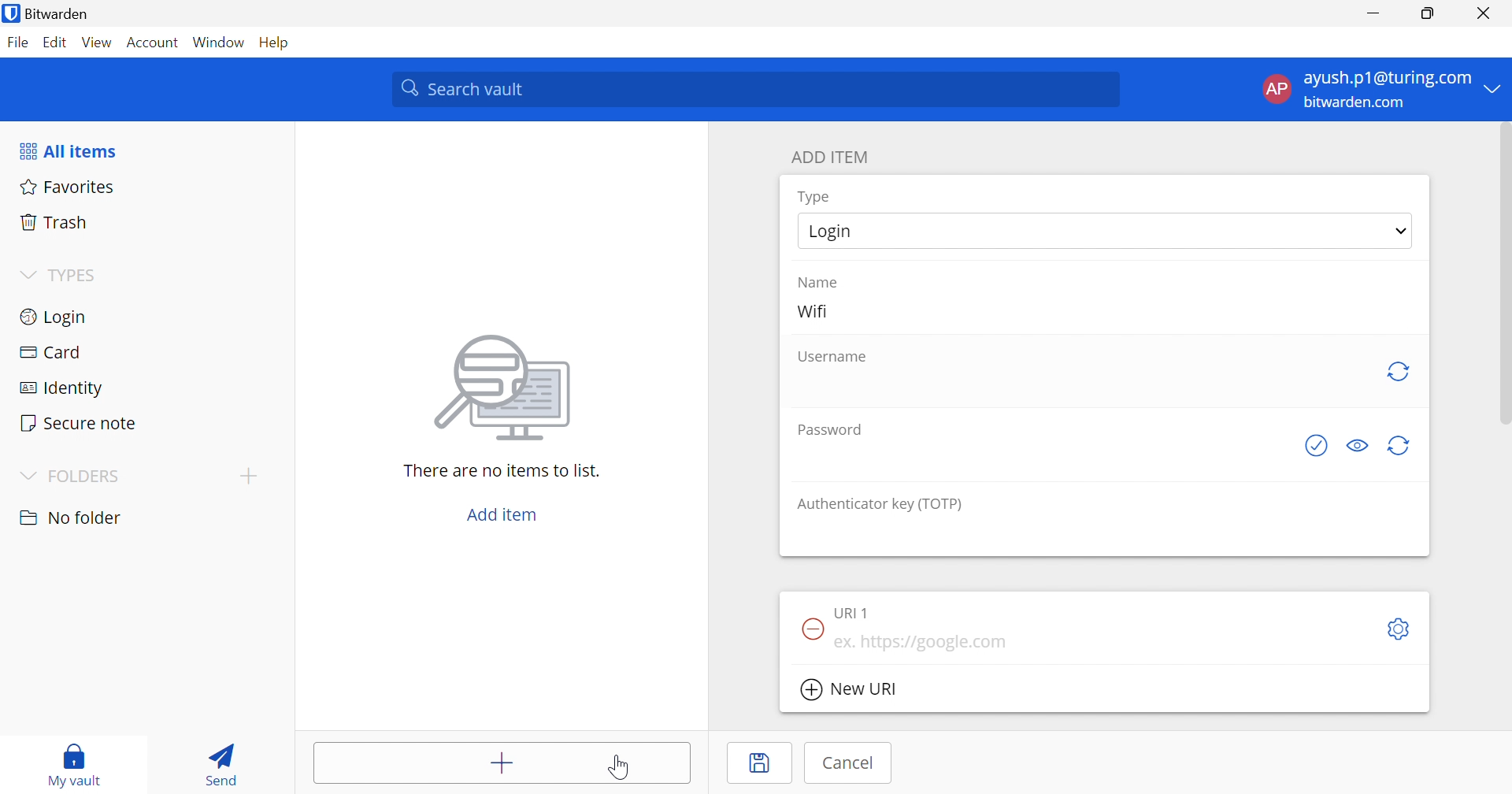  What do you see at coordinates (25, 477) in the screenshot?
I see `Drop Down` at bounding box center [25, 477].